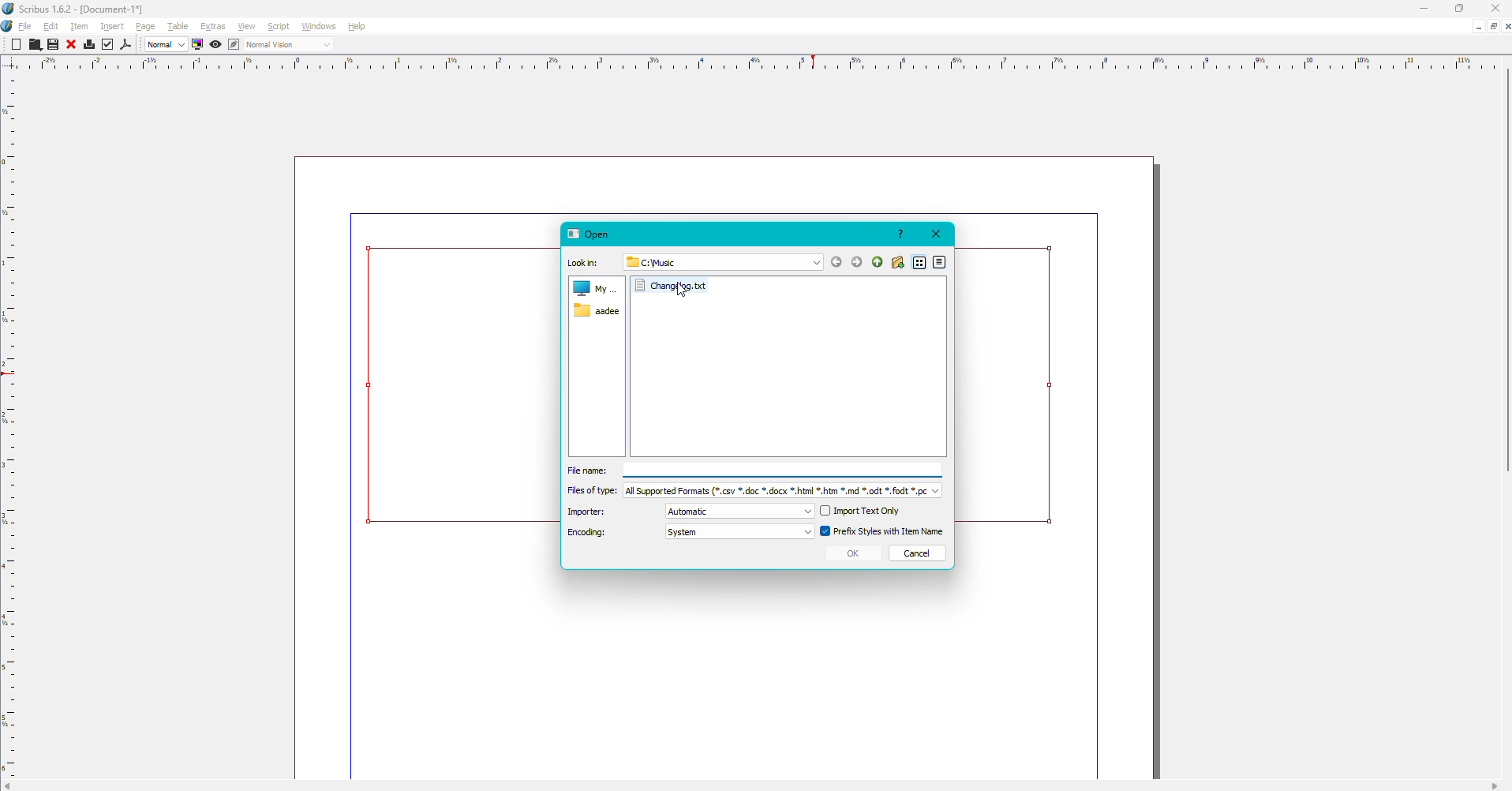 This screenshot has height=791, width=1512. Describe the element at coordinates (113, 26) in the screenshot. I see `Insert` at that location.